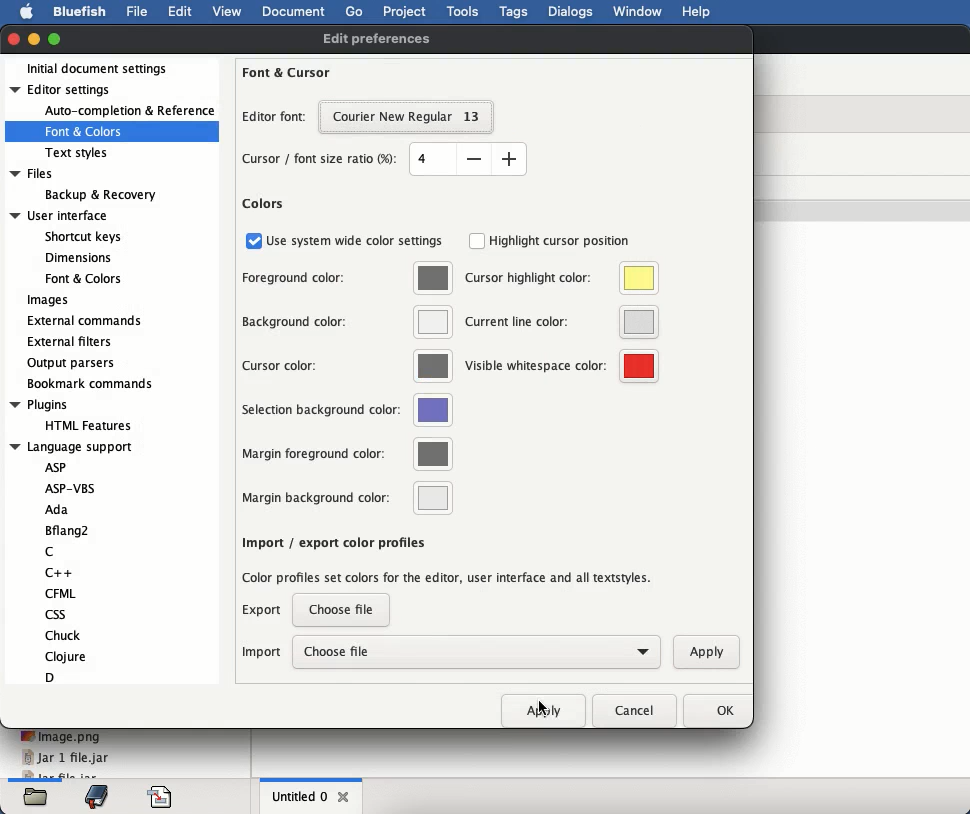 Image resolution: width=970 pixels, height=814 pixels. I want to click on tags, so click(514, 12).